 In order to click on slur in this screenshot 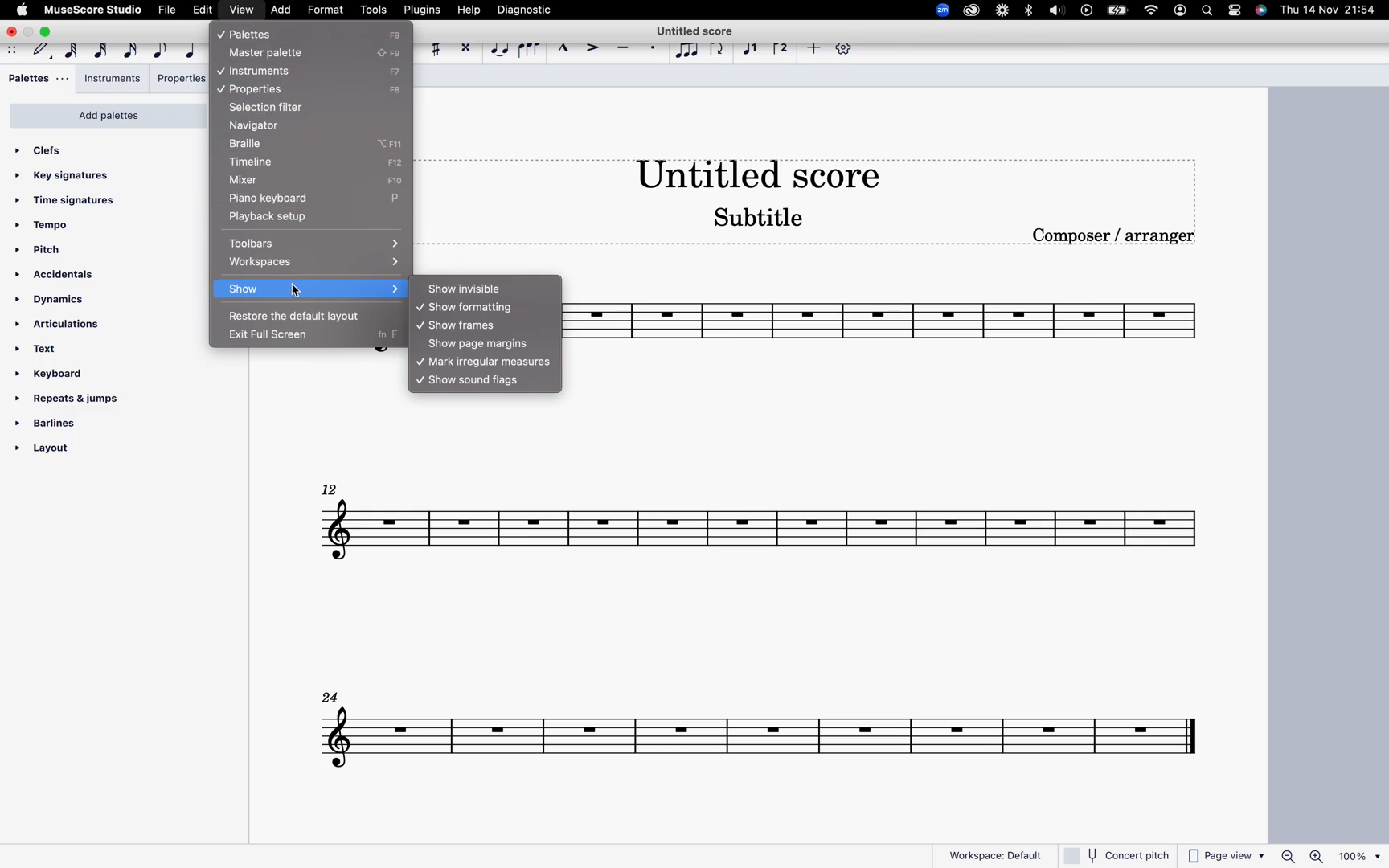, I will do `click(528, 51)`.